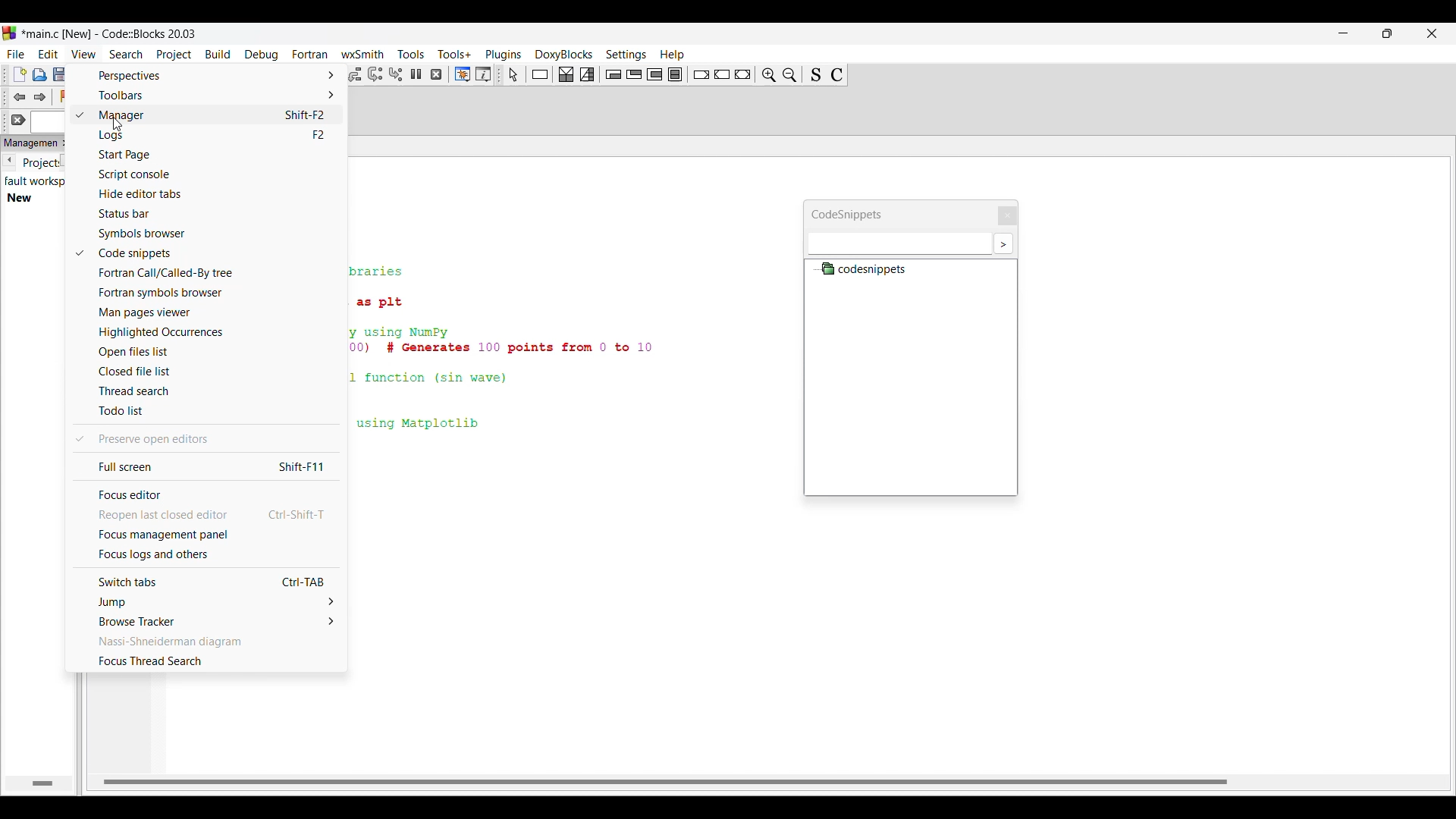  I want to click on Toggle comments, so click(837, 74).